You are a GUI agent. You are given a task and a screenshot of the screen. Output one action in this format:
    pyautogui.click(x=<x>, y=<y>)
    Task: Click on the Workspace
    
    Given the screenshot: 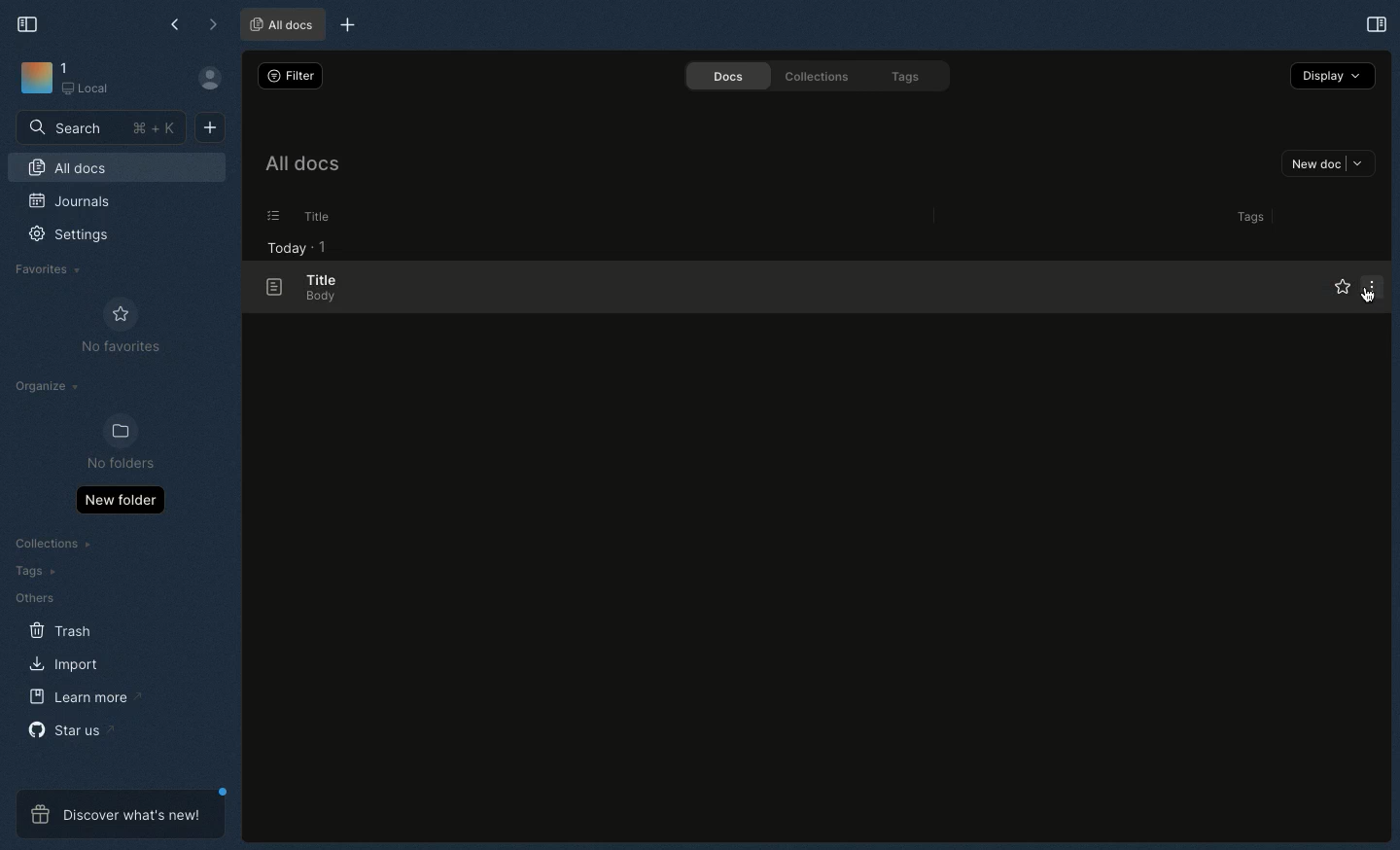 What is the action you would take?
    pyautogui.click(x=94, y=80)
    